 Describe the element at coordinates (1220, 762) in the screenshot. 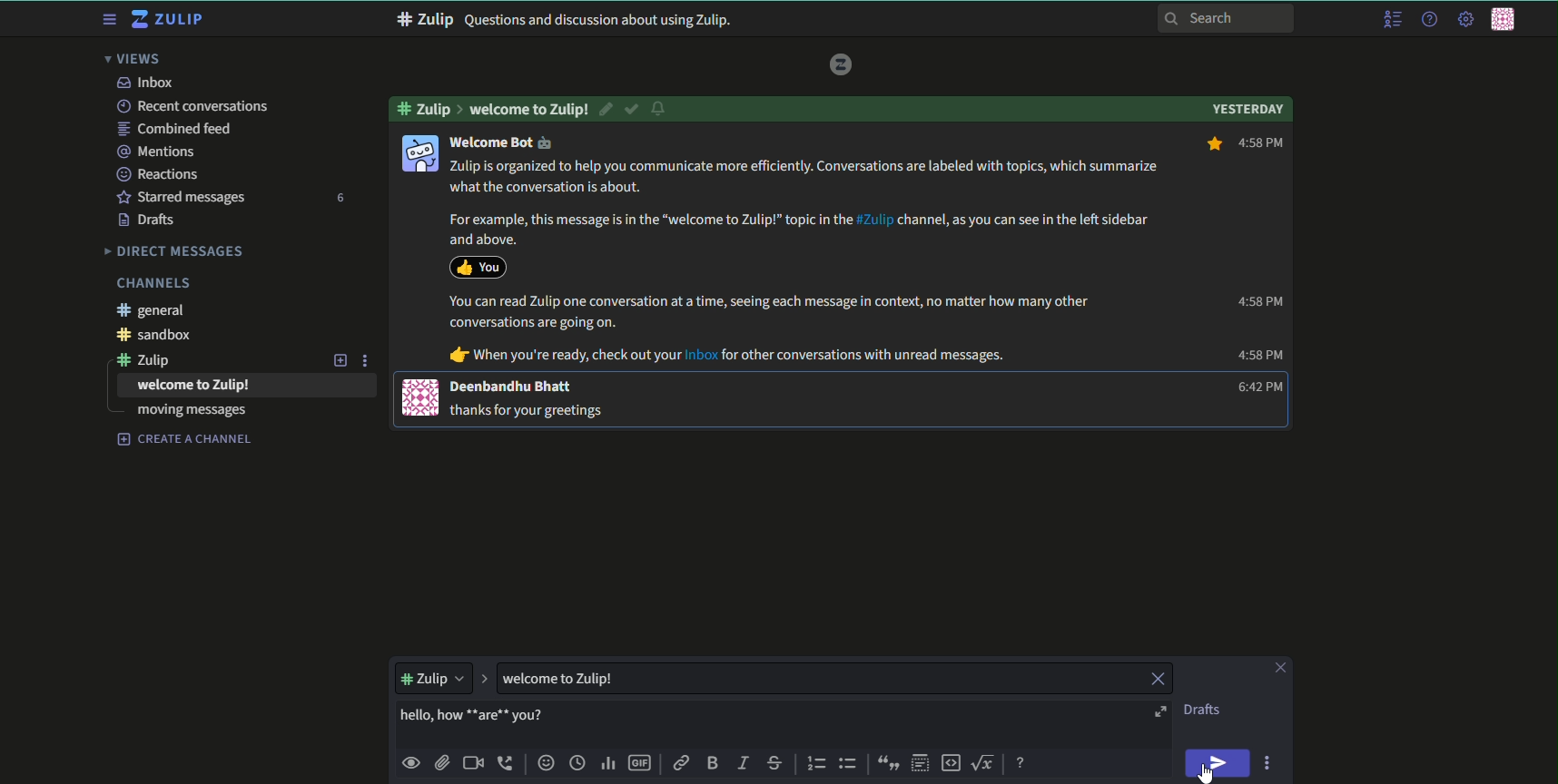

I see `send` at that location.